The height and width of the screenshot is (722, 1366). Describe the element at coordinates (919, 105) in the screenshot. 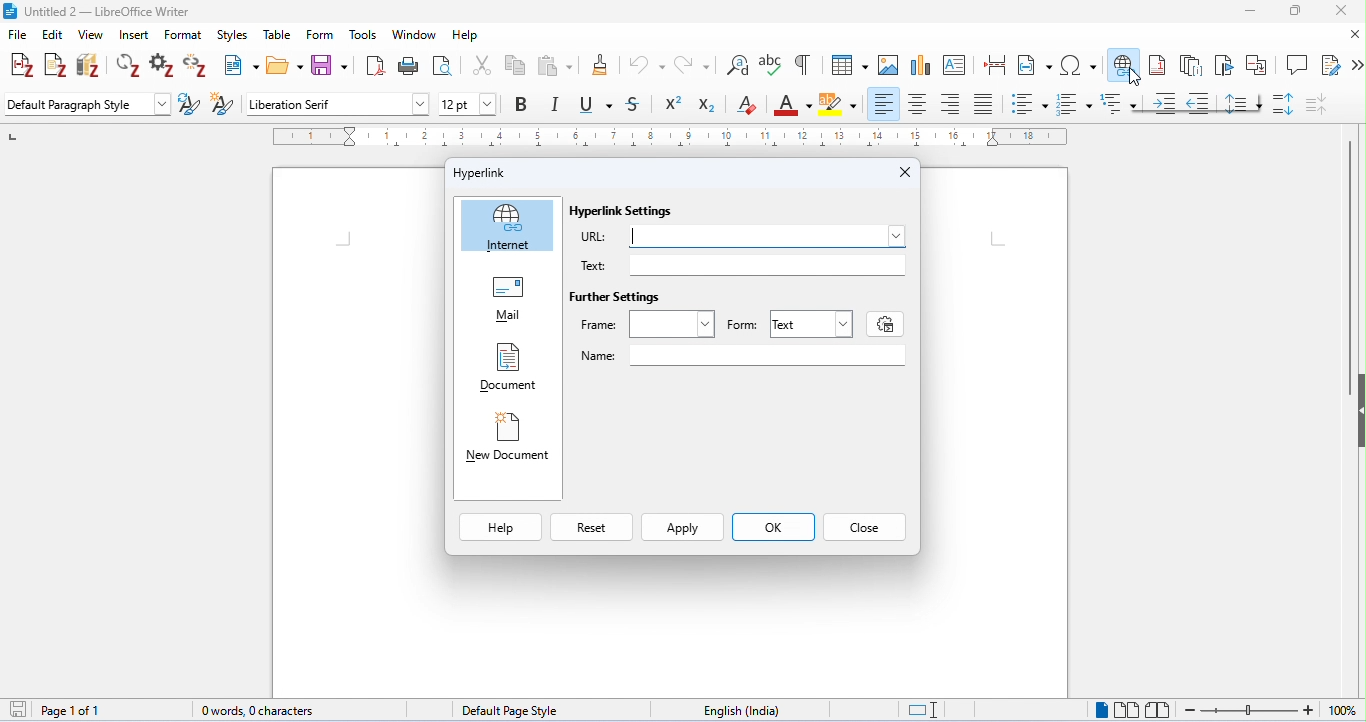

I see `align center` at that location.